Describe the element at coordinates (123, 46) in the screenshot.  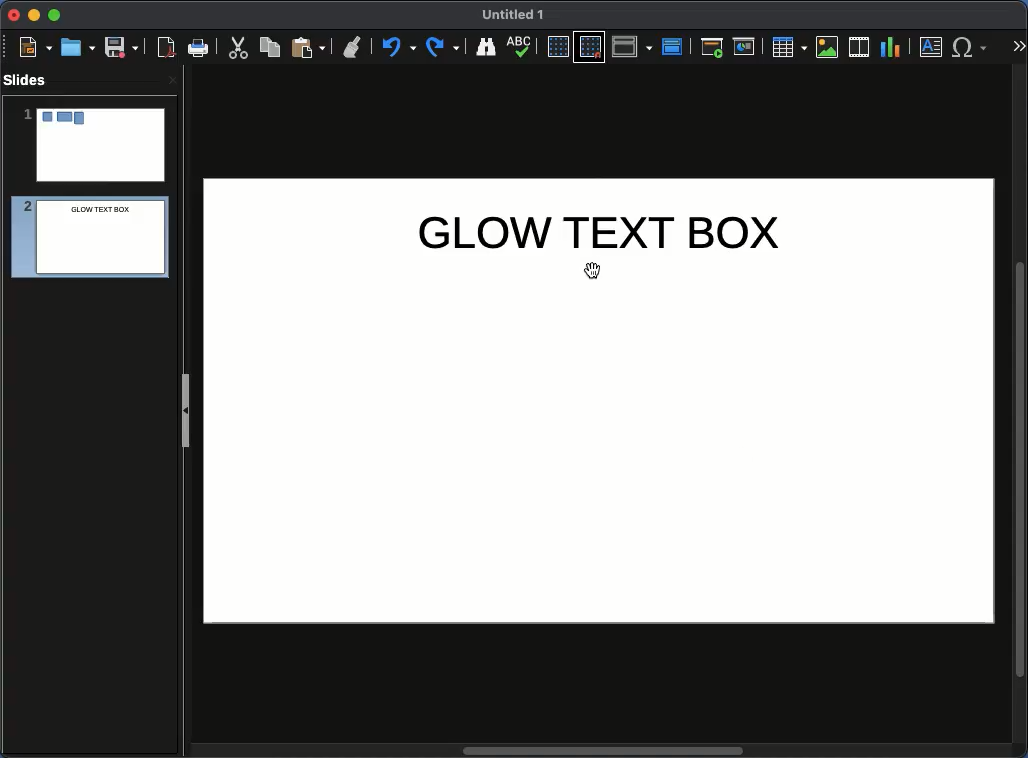
I see `Save` at that location.